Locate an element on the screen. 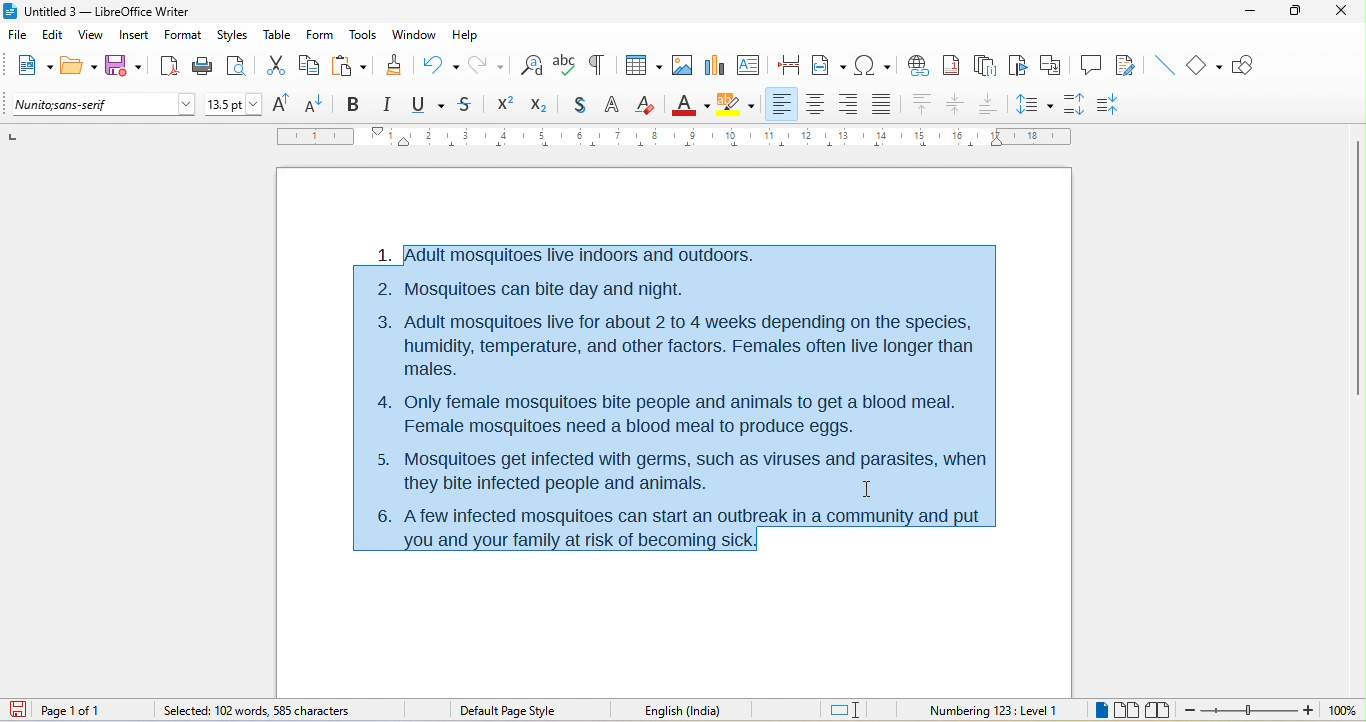 This screenshot has height=722, width=1366. strikethrough is located at coordinates (466, 106).